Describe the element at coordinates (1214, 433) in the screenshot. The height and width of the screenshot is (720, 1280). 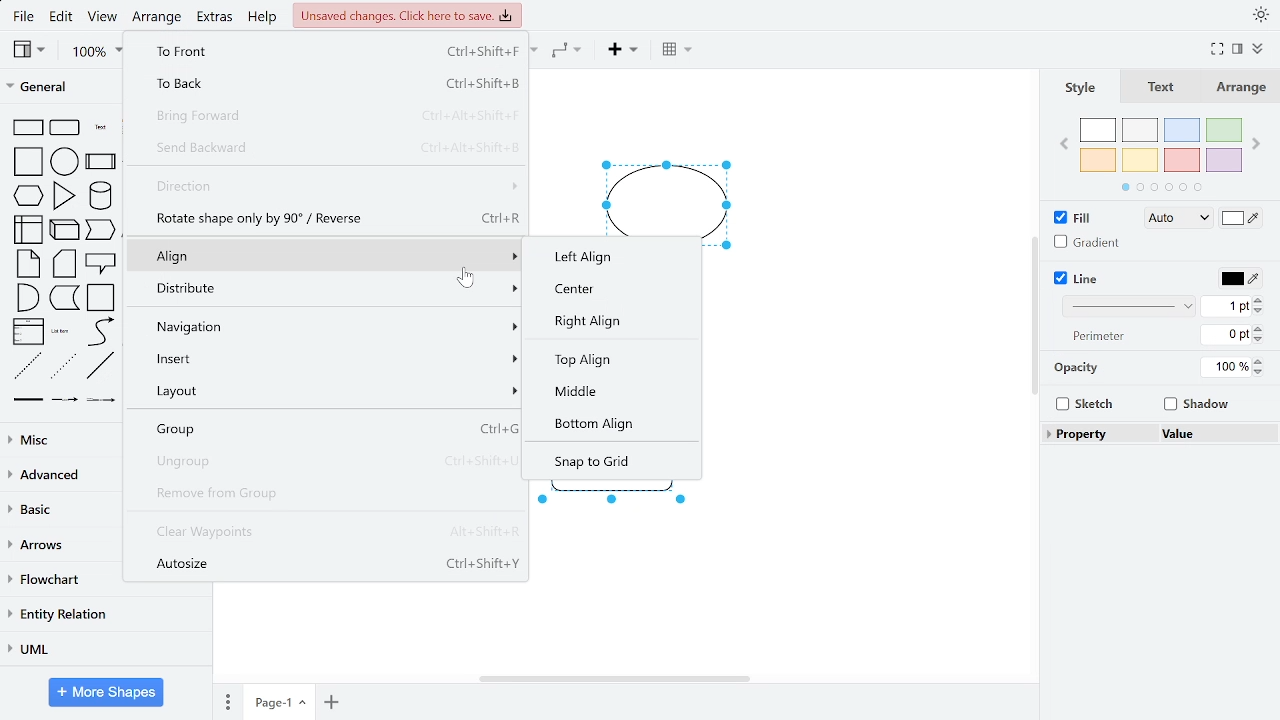
I see `value` at that location.